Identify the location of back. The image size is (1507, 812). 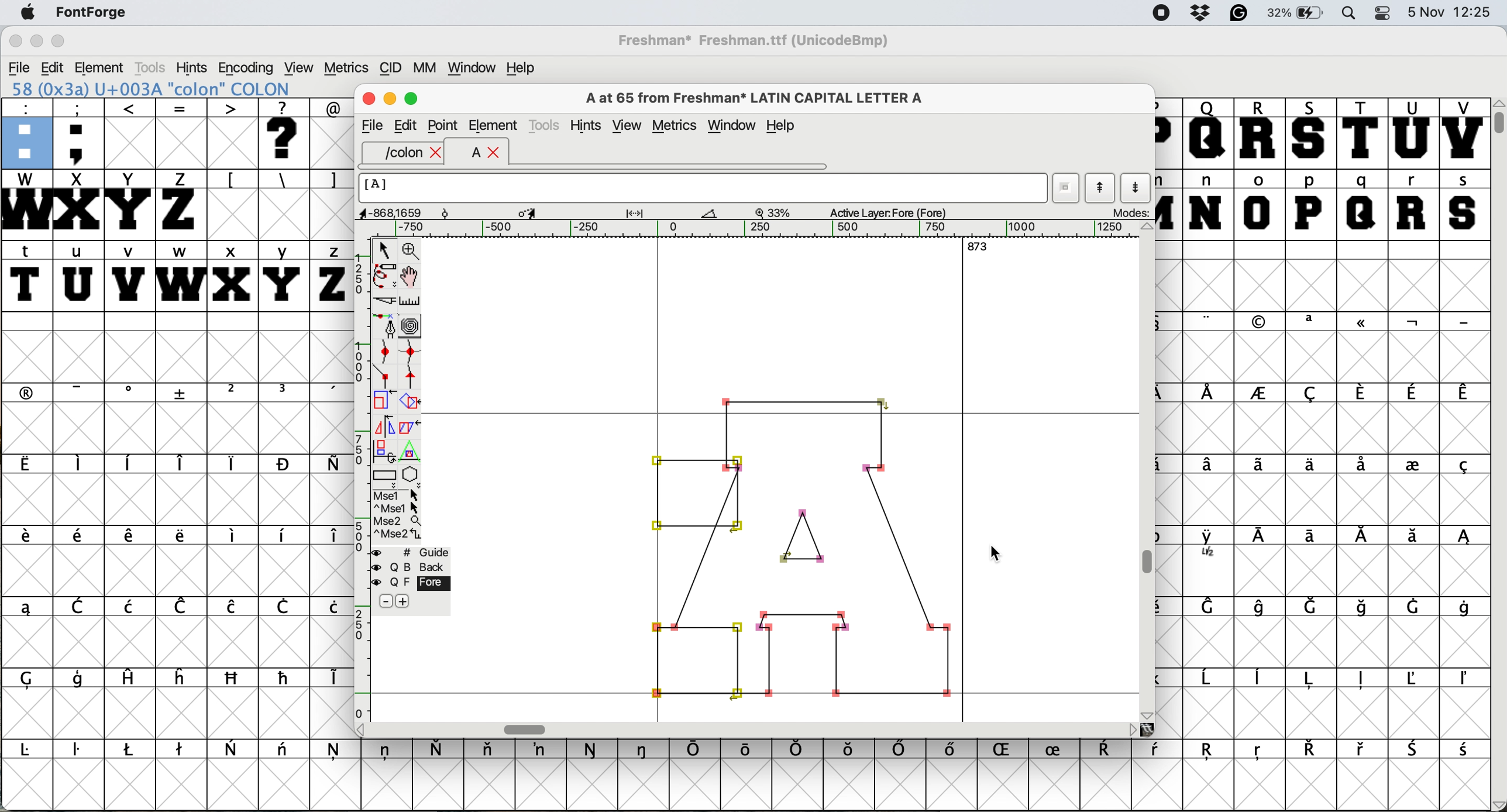
(408, 565).